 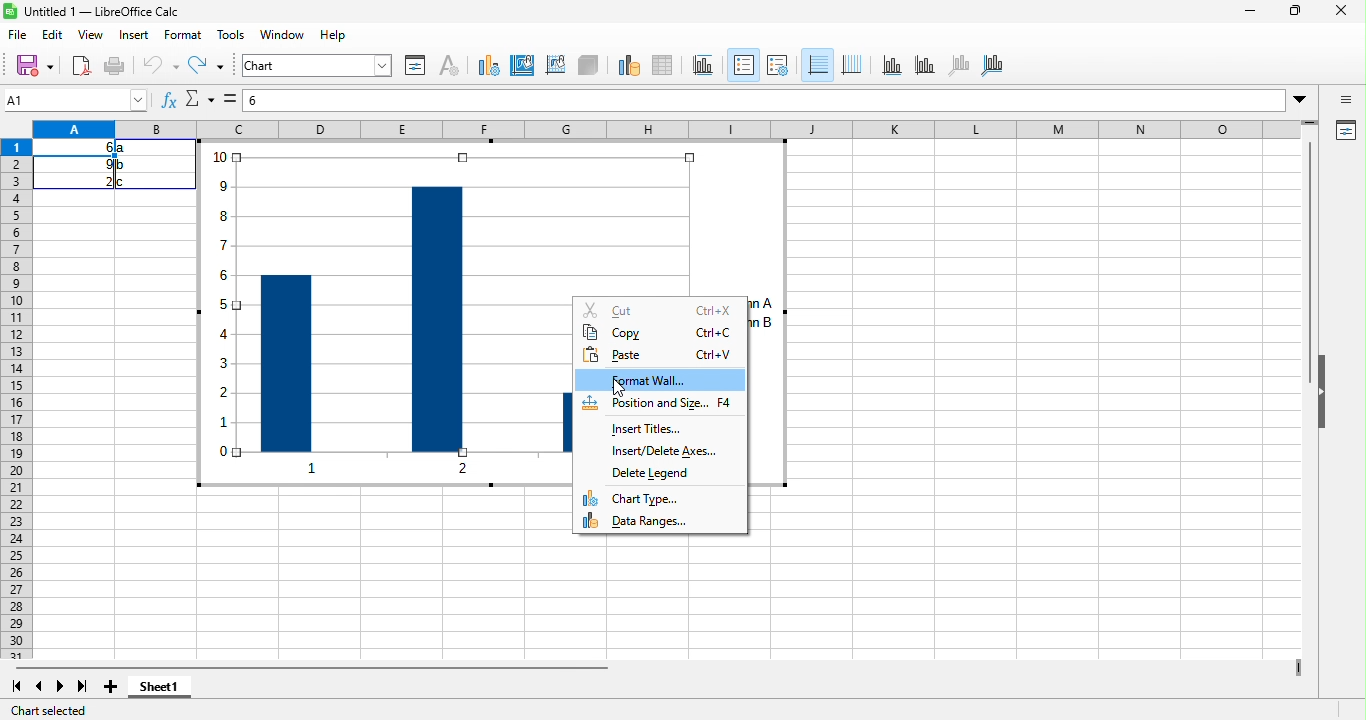 What do you see at coordinates (60, 689) in the screenshot?
I see `next` at bounding box center [60, 689].